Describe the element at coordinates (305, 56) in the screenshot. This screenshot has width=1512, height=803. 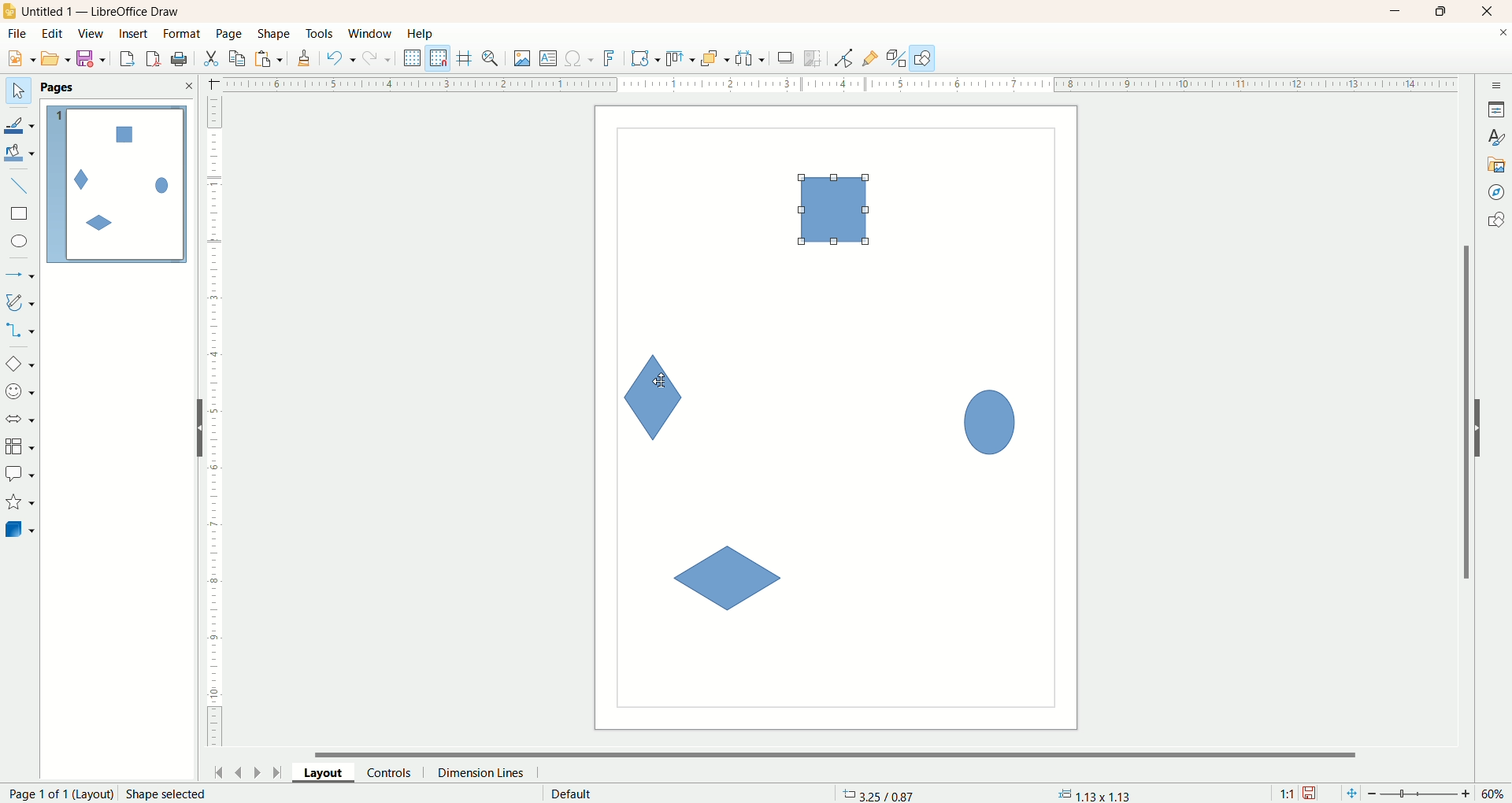
I see `clone formatting` at that location.